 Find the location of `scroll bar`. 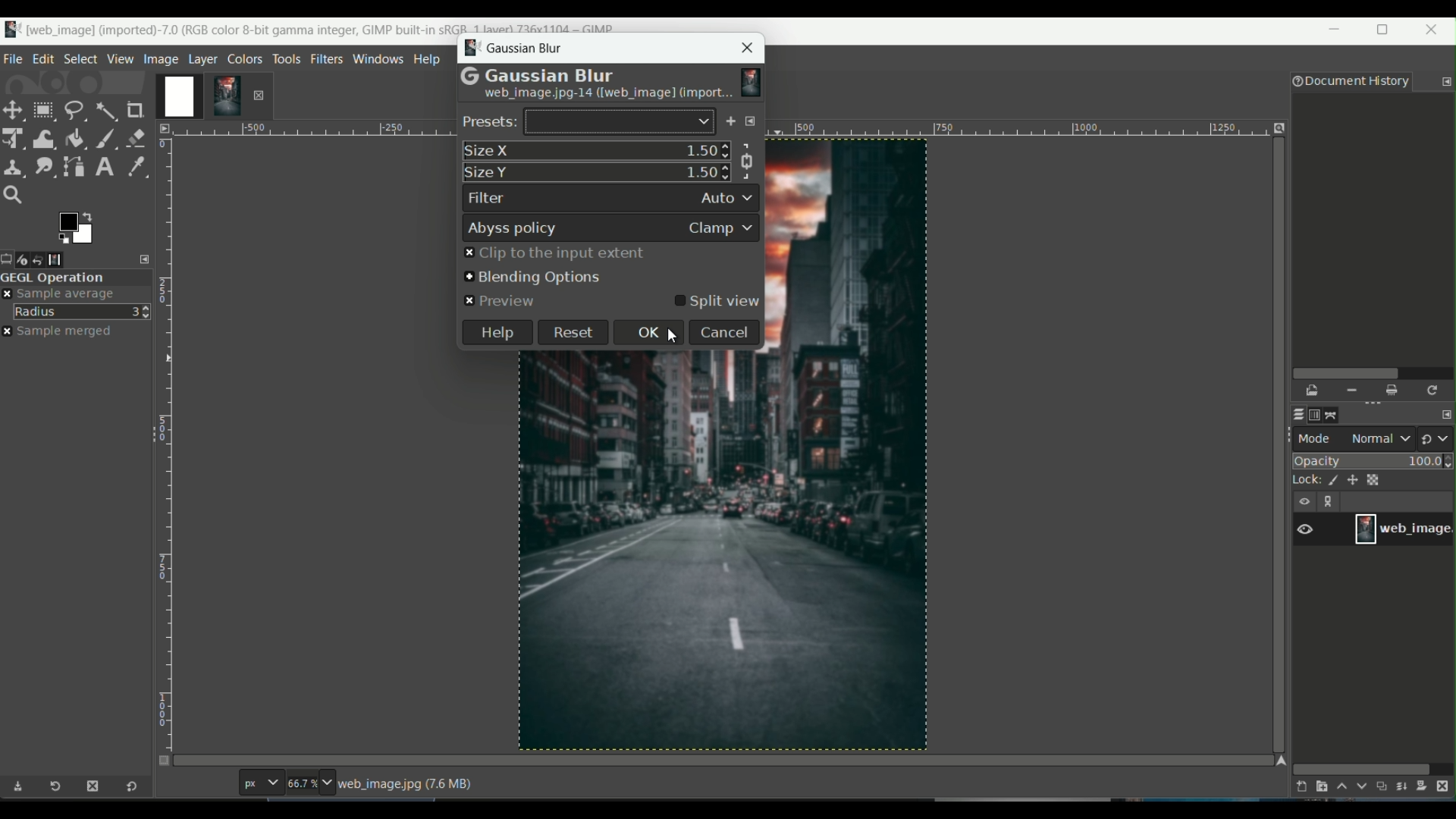

scroll bar is located at coordinates (1362, 767).